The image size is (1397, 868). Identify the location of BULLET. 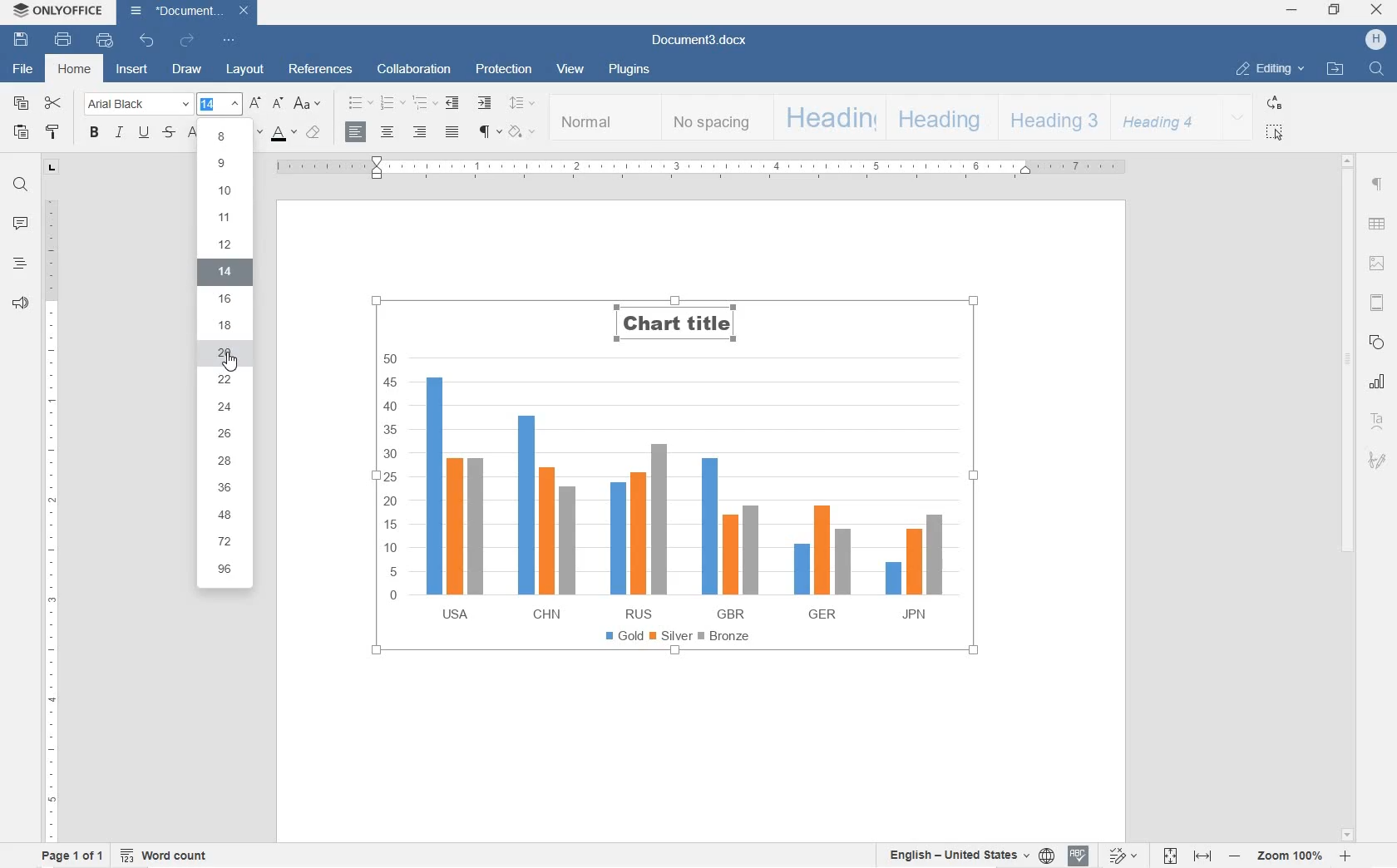
(360, 104).